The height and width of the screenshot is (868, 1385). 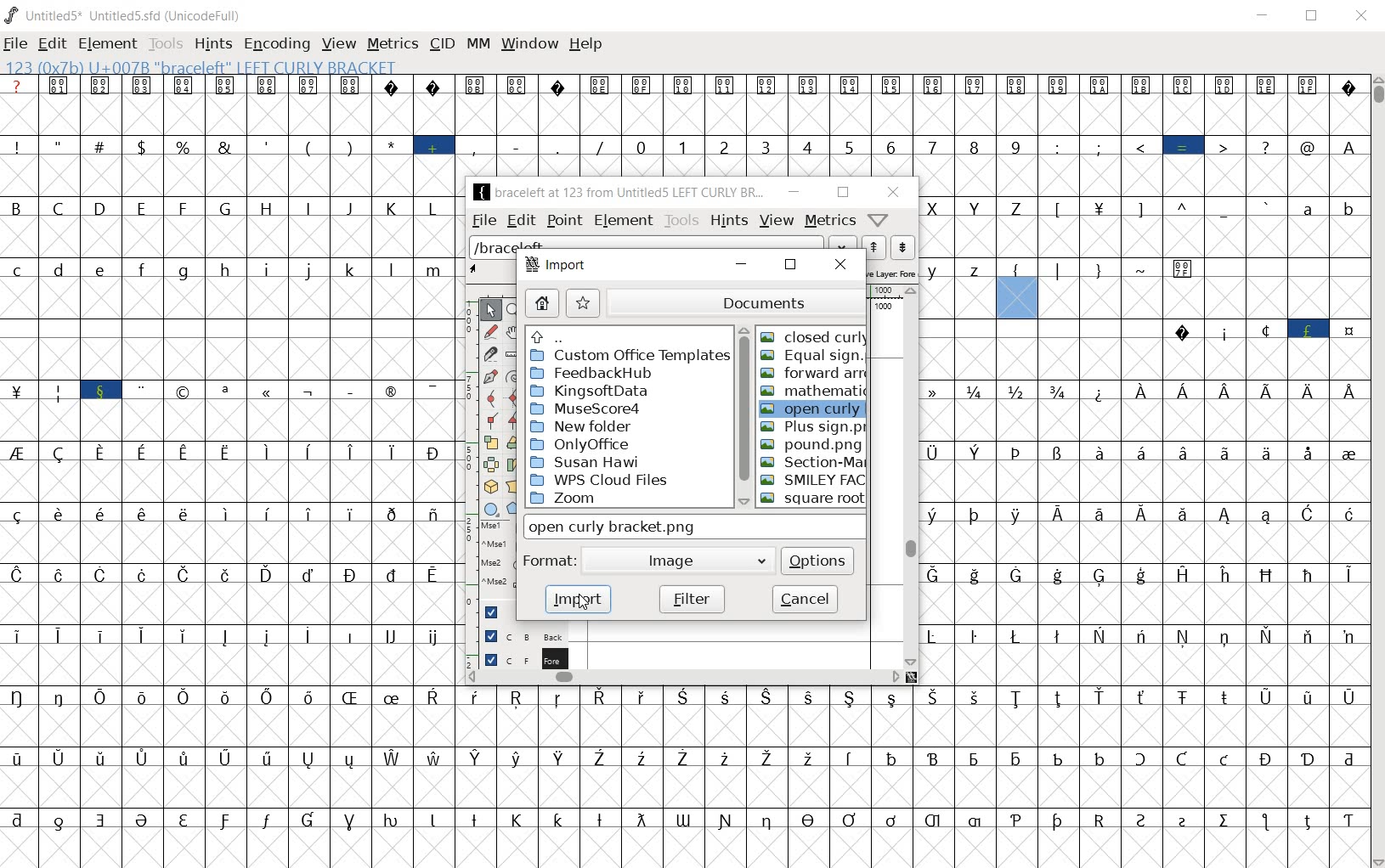 What do you see at coordinates (517, 658) in the screenshot?
I see `background` at bounding box center [517, 658].